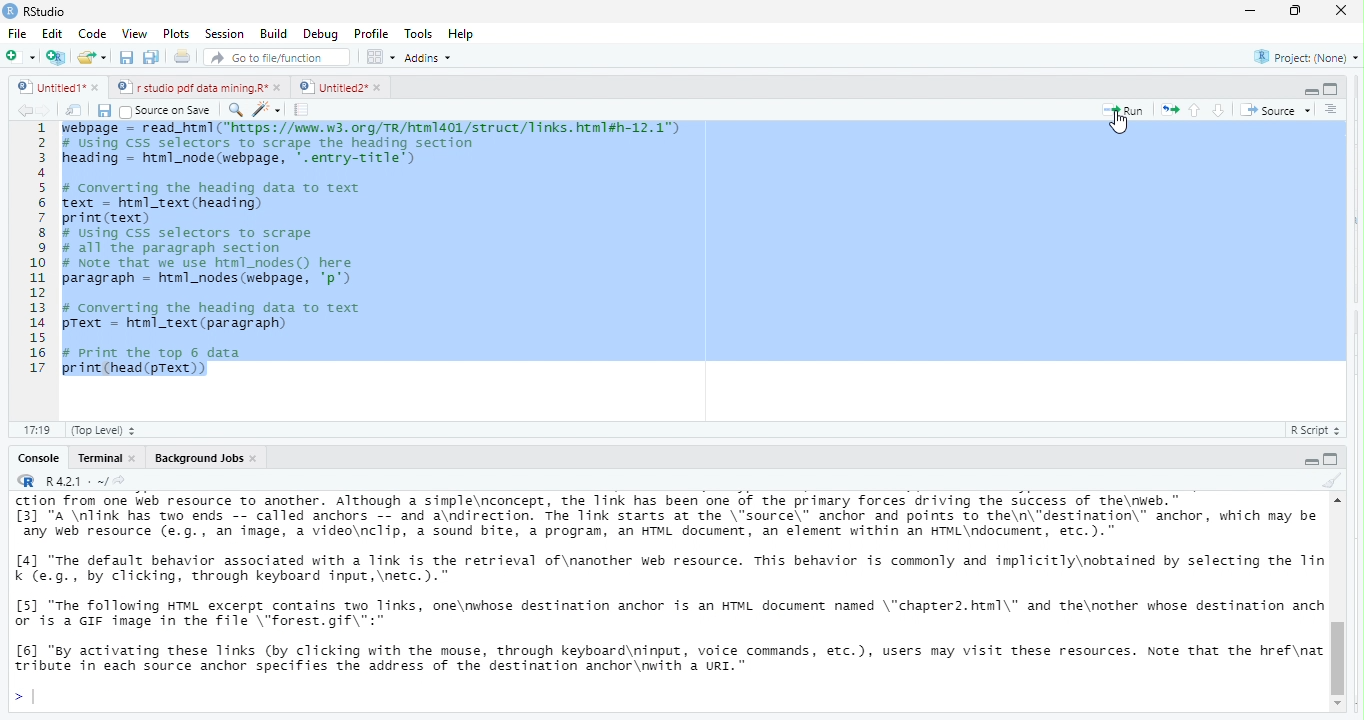 The height and width of the screenshot is (720, 1364). What do you see at coordinates (1220, 110) in the screenshot?
I see `go to next section/chunk` at bounding box center [1220, 110].